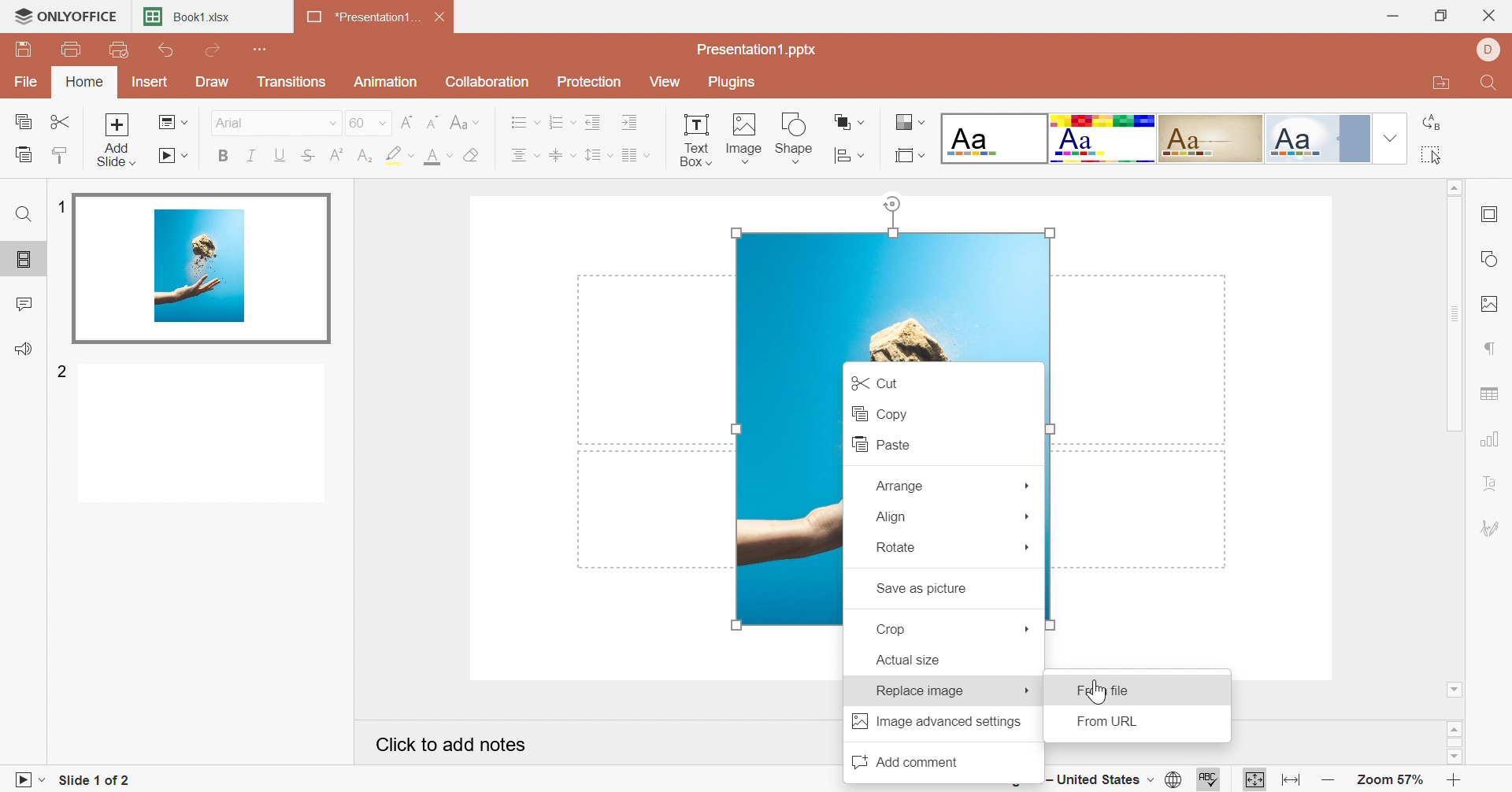  I want to click on Actual Size, so click(908, 661).